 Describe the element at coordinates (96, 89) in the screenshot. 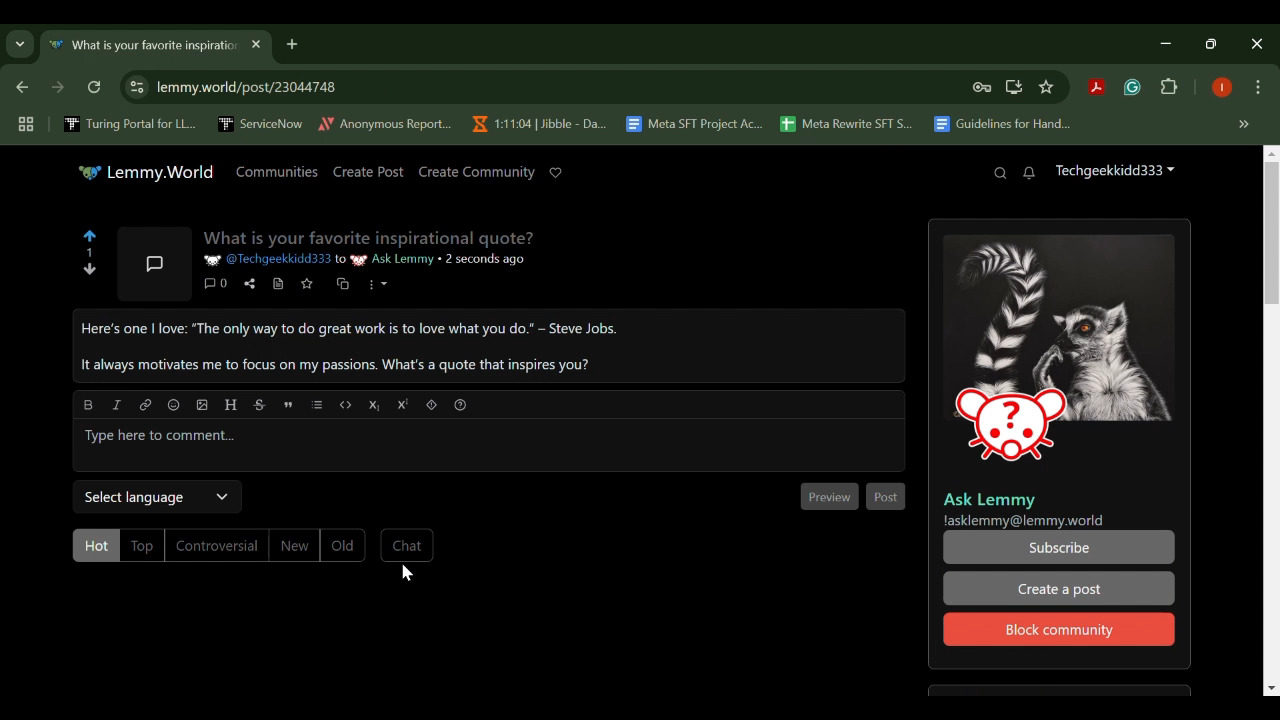

I see `Refresh Webpage` at that location.